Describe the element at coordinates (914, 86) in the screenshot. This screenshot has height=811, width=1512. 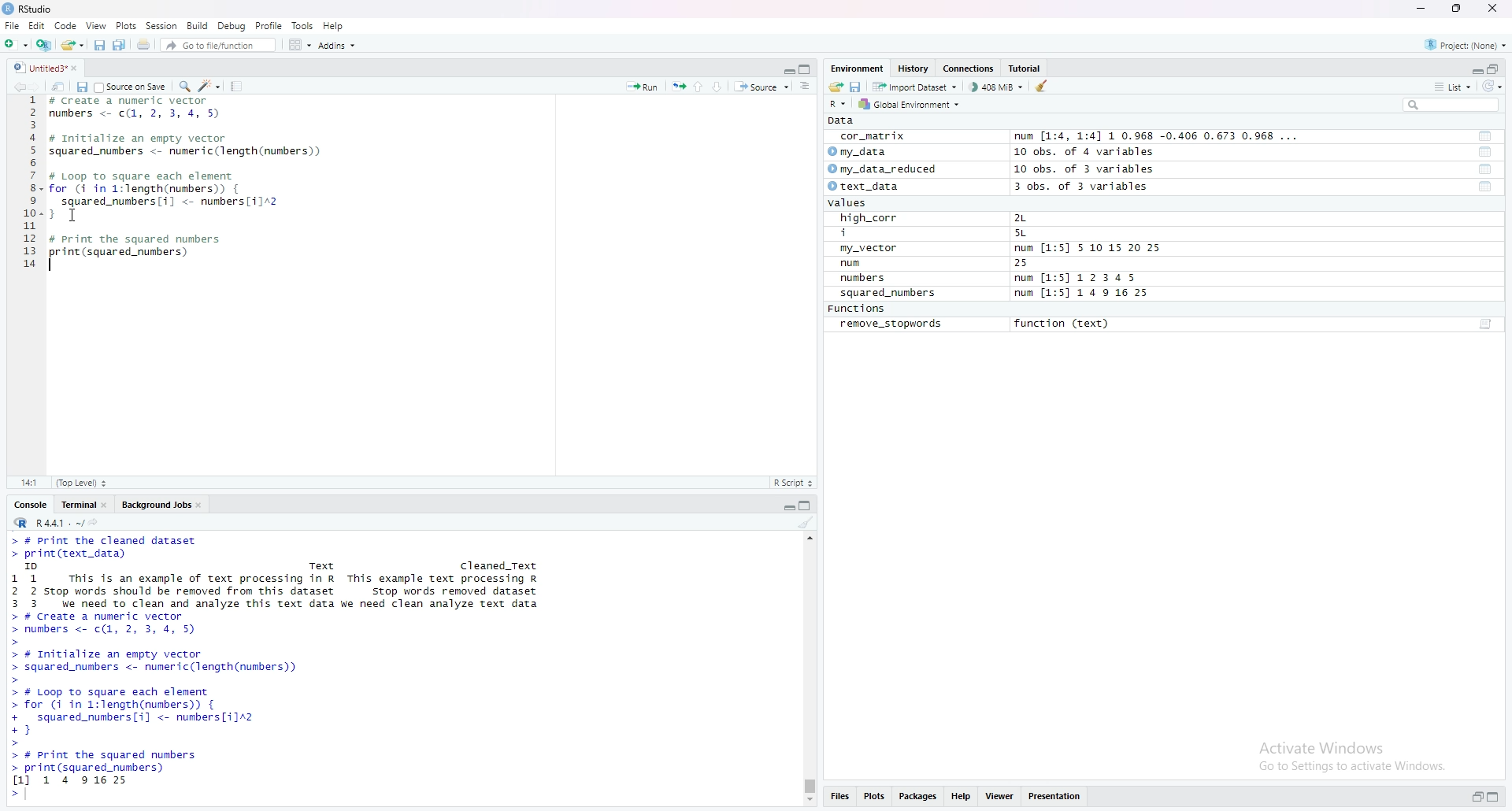
I see `Import Dataset` at that location.